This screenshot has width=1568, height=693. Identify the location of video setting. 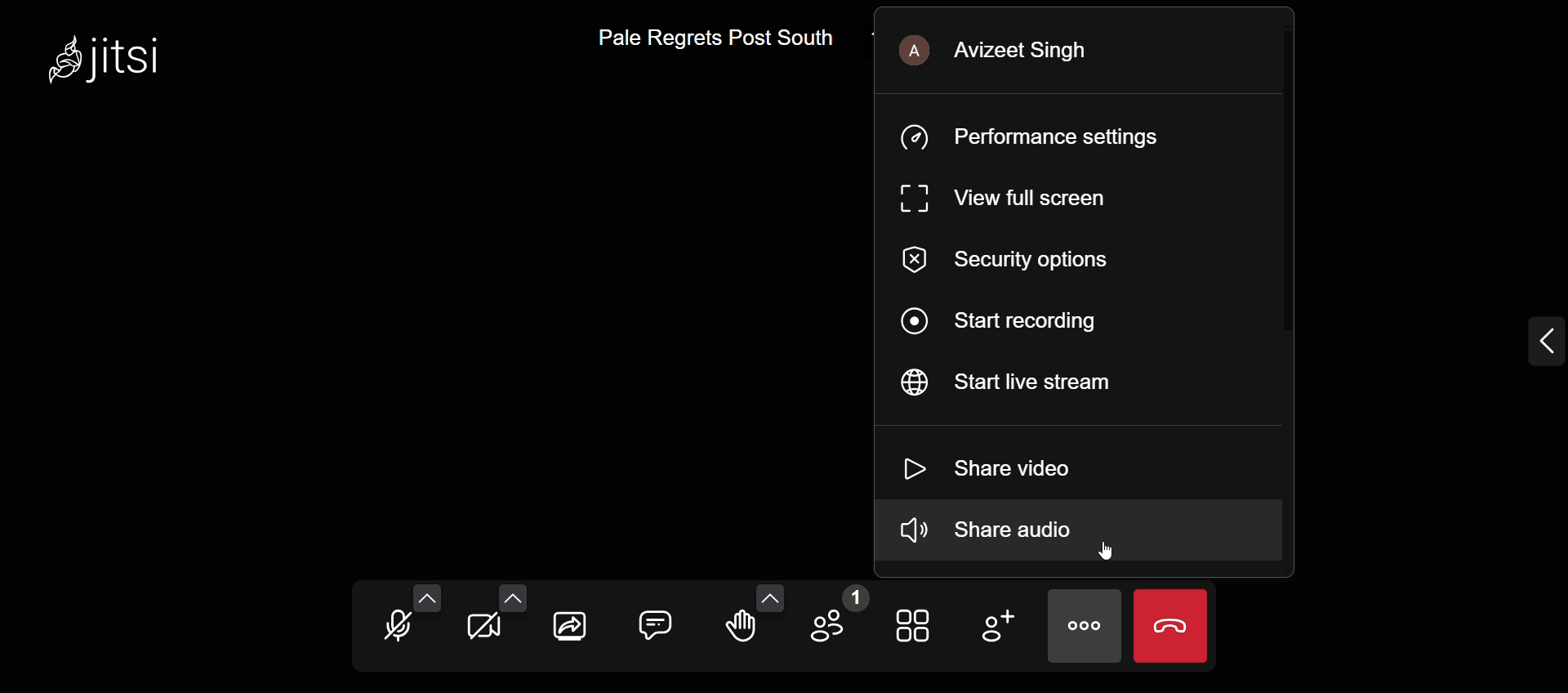
(514, 590).